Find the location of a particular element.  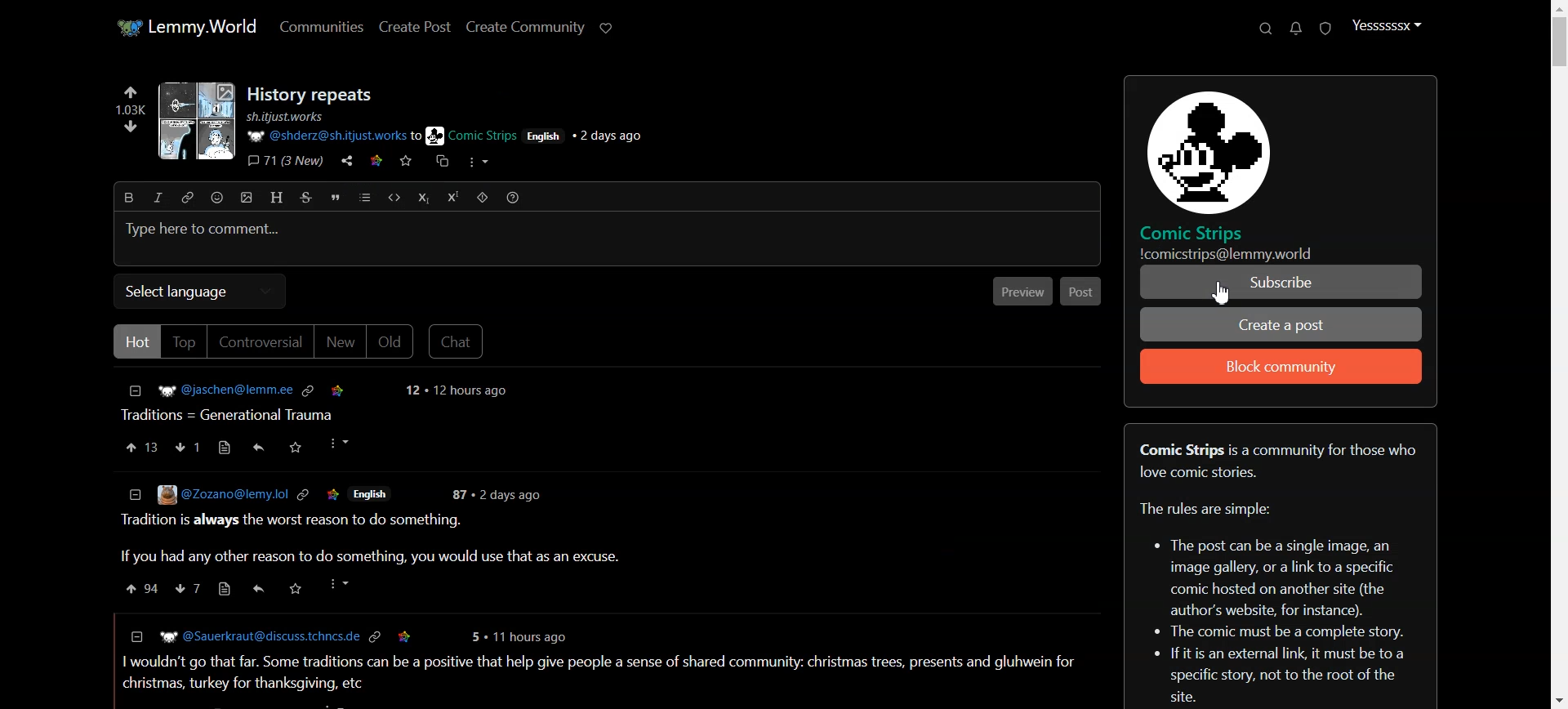

Italic is located at coordinates (158, 197).